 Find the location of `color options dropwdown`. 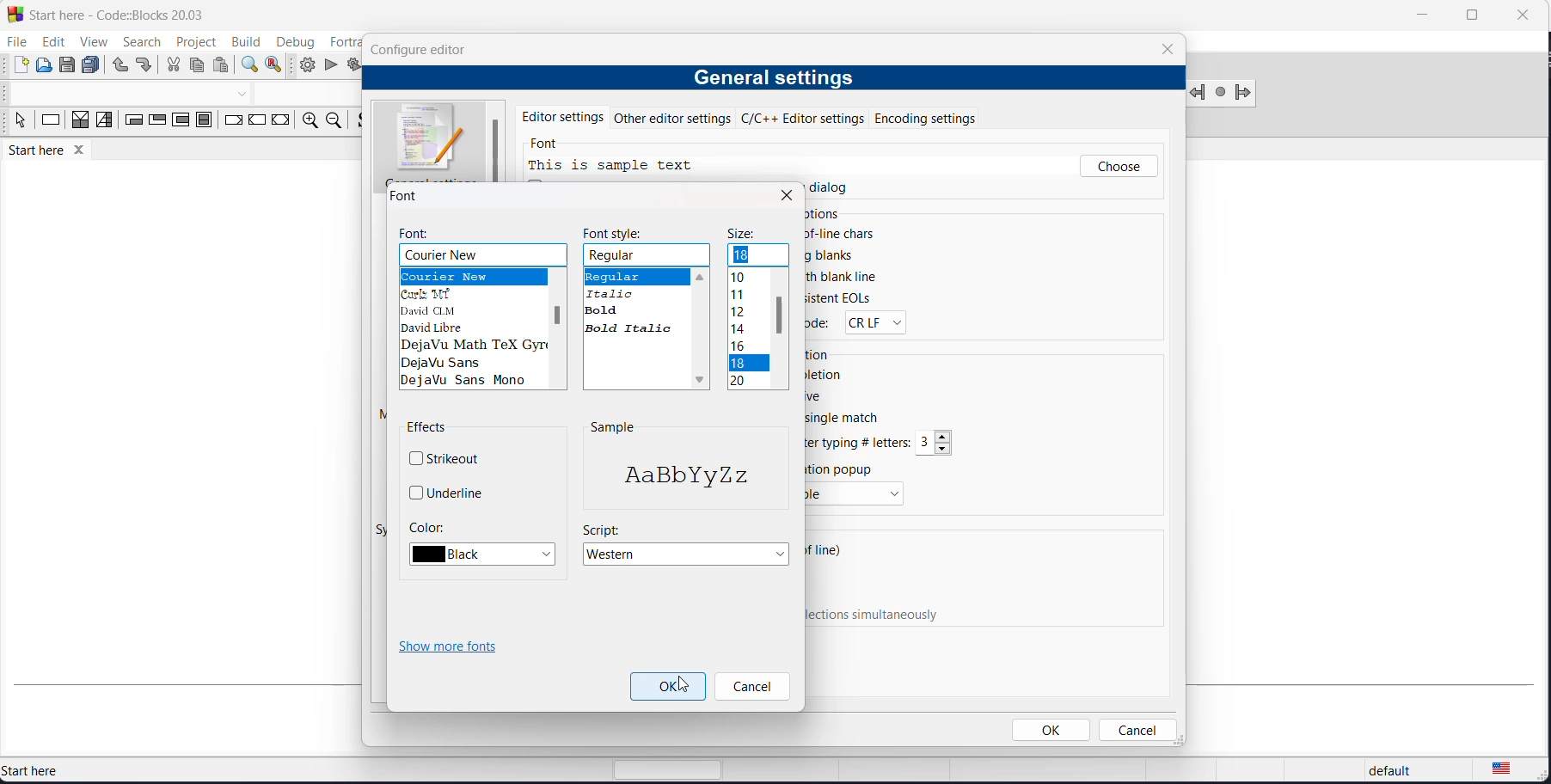

color options dropwdown is located at coordinates (487, 554).